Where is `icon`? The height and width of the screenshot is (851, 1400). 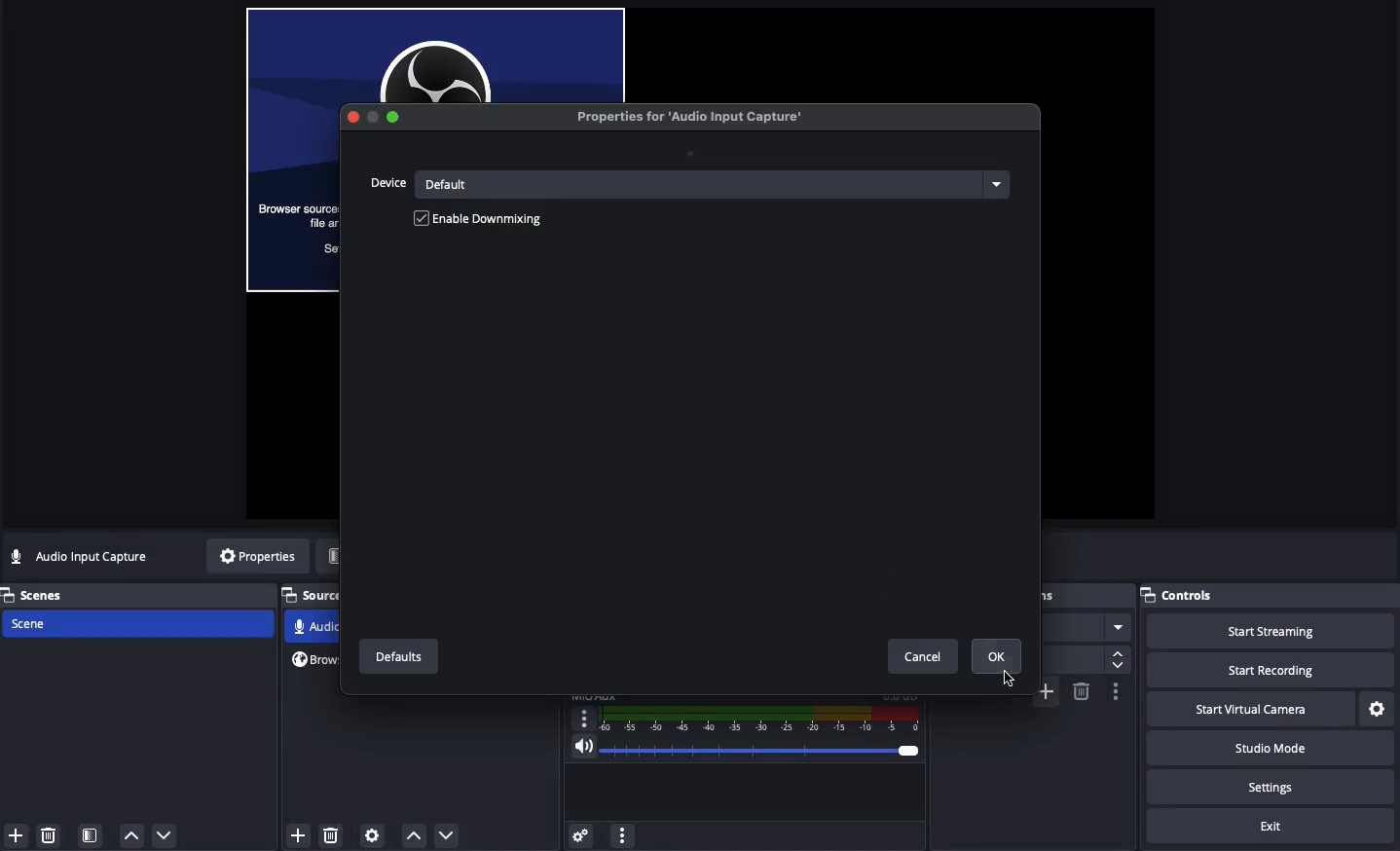 icon is located at coordinates (371, 116).